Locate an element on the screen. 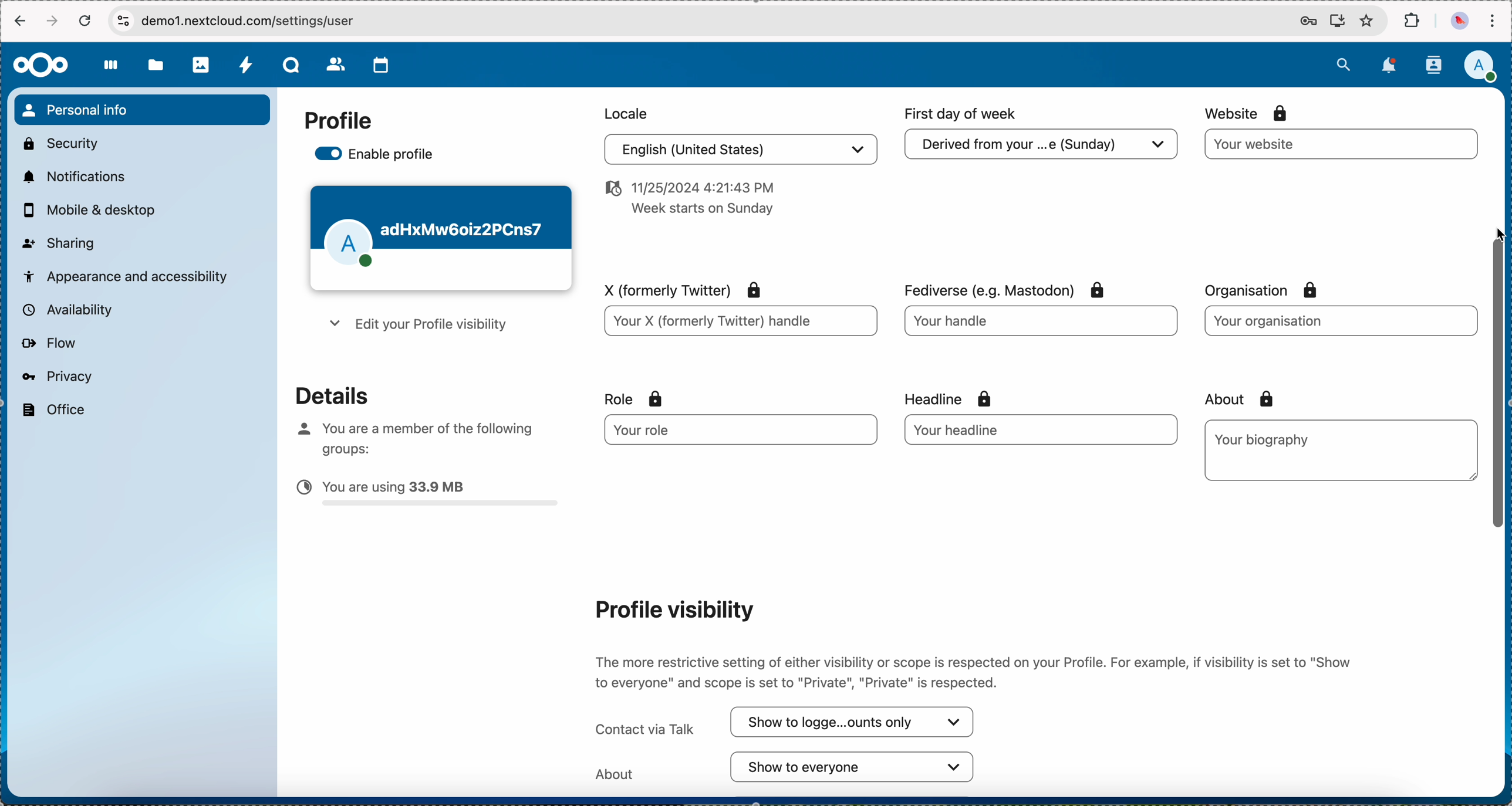 The height and width of the screenshot is (806, 1512). your X is located at coordinates (740, 323).